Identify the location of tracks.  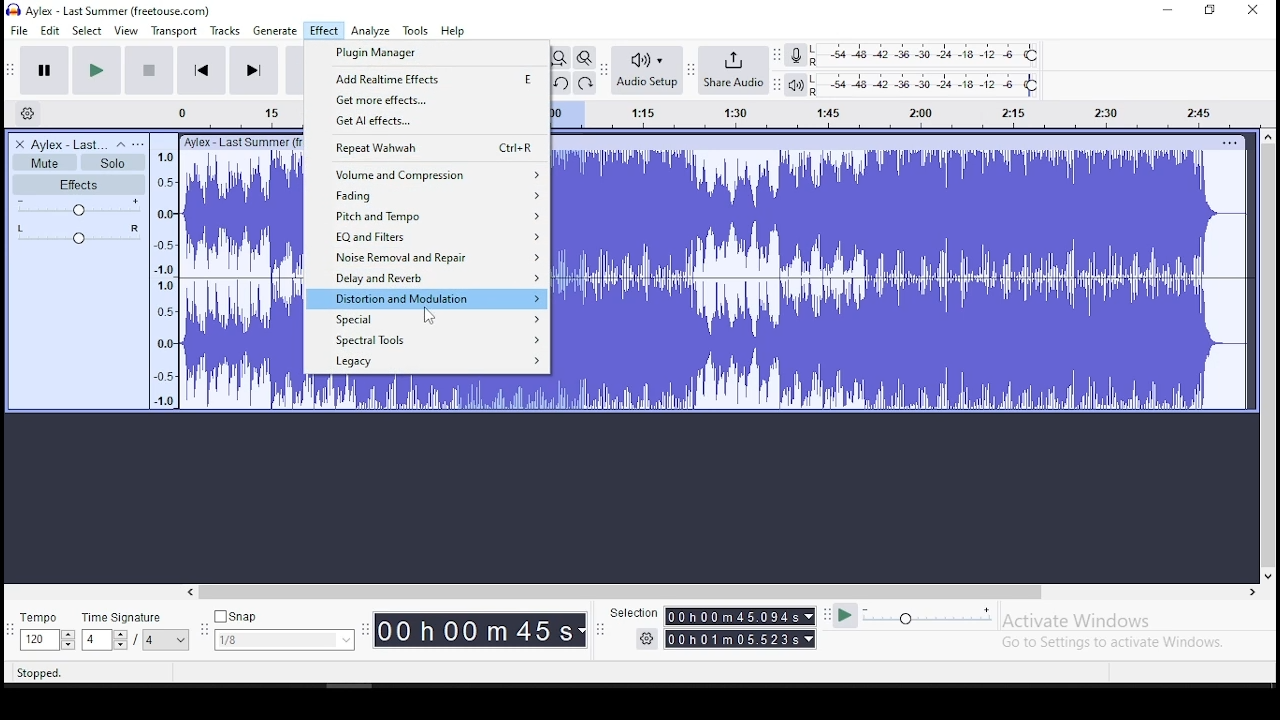
(225, 31).